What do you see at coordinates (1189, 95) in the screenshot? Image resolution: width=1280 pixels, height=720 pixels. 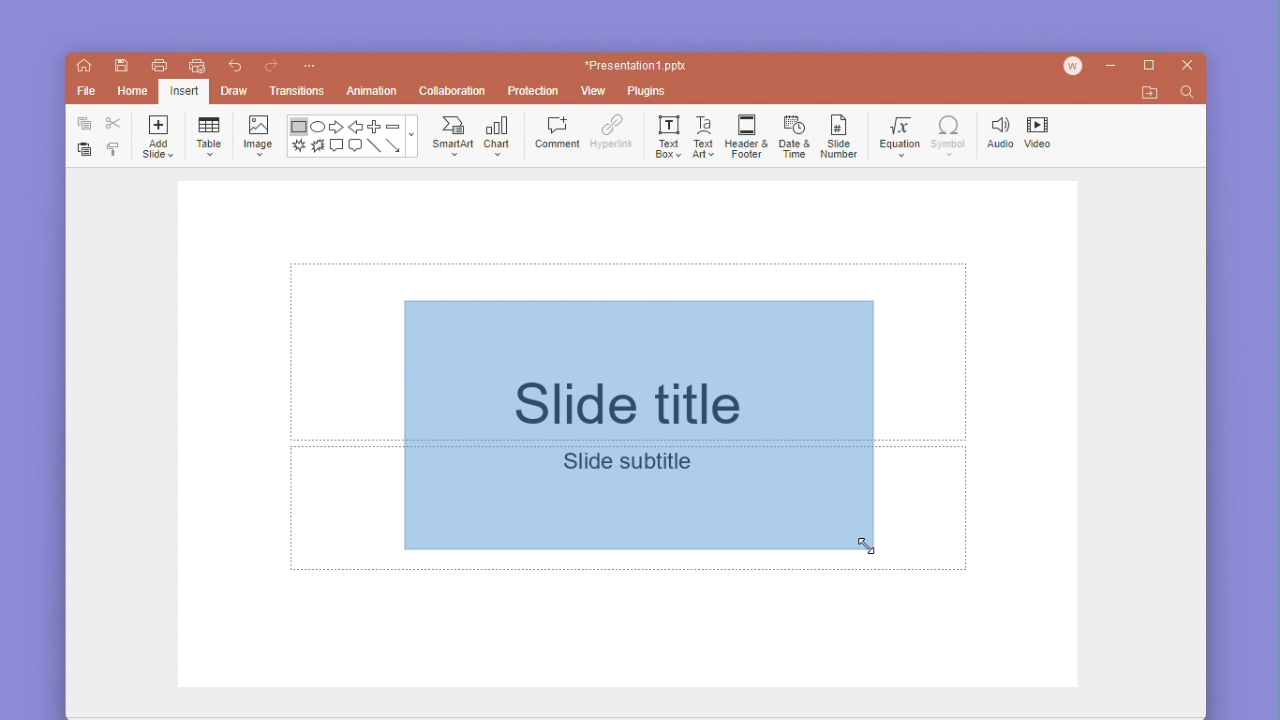 I see `find` at bounding box center [1189, 95].